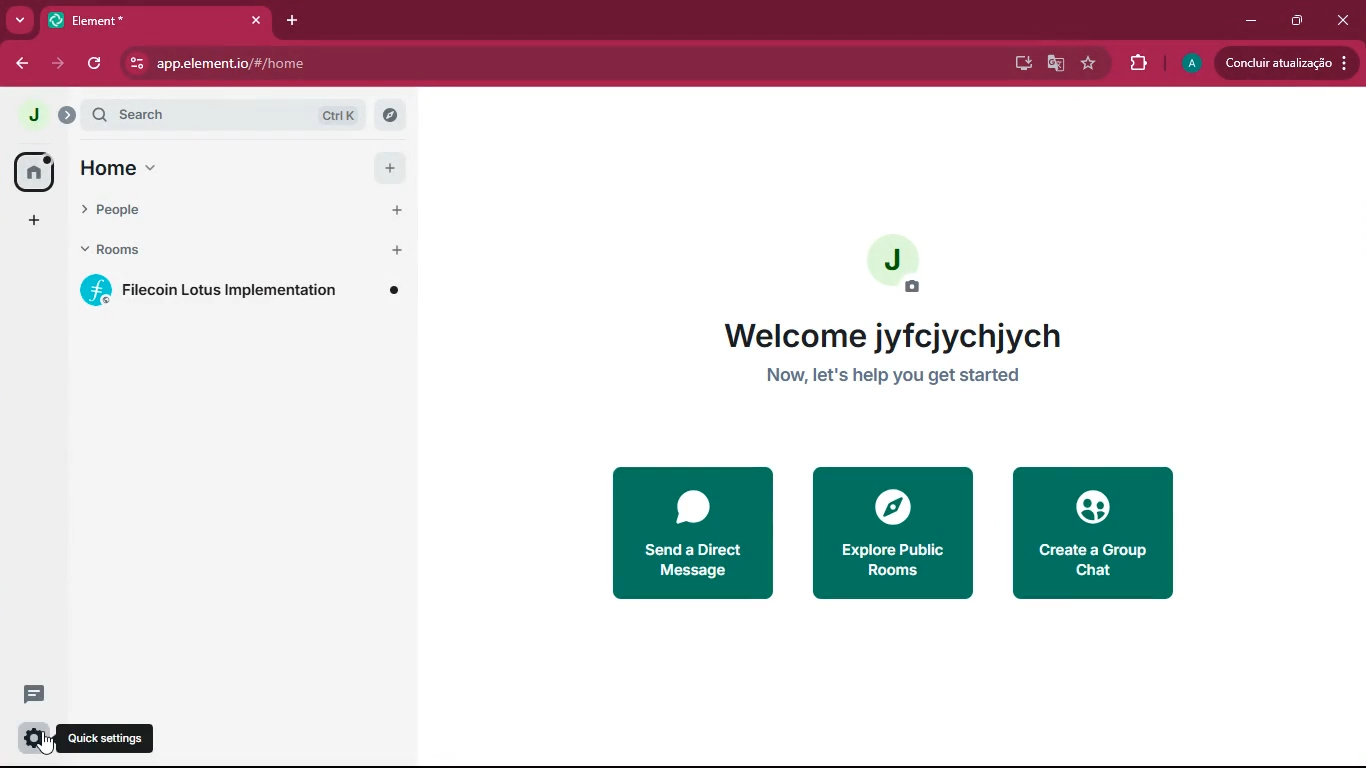 Image resolution: width=1366 pixels, height=768 pixels. I want to click on create, so click(1100, 534).